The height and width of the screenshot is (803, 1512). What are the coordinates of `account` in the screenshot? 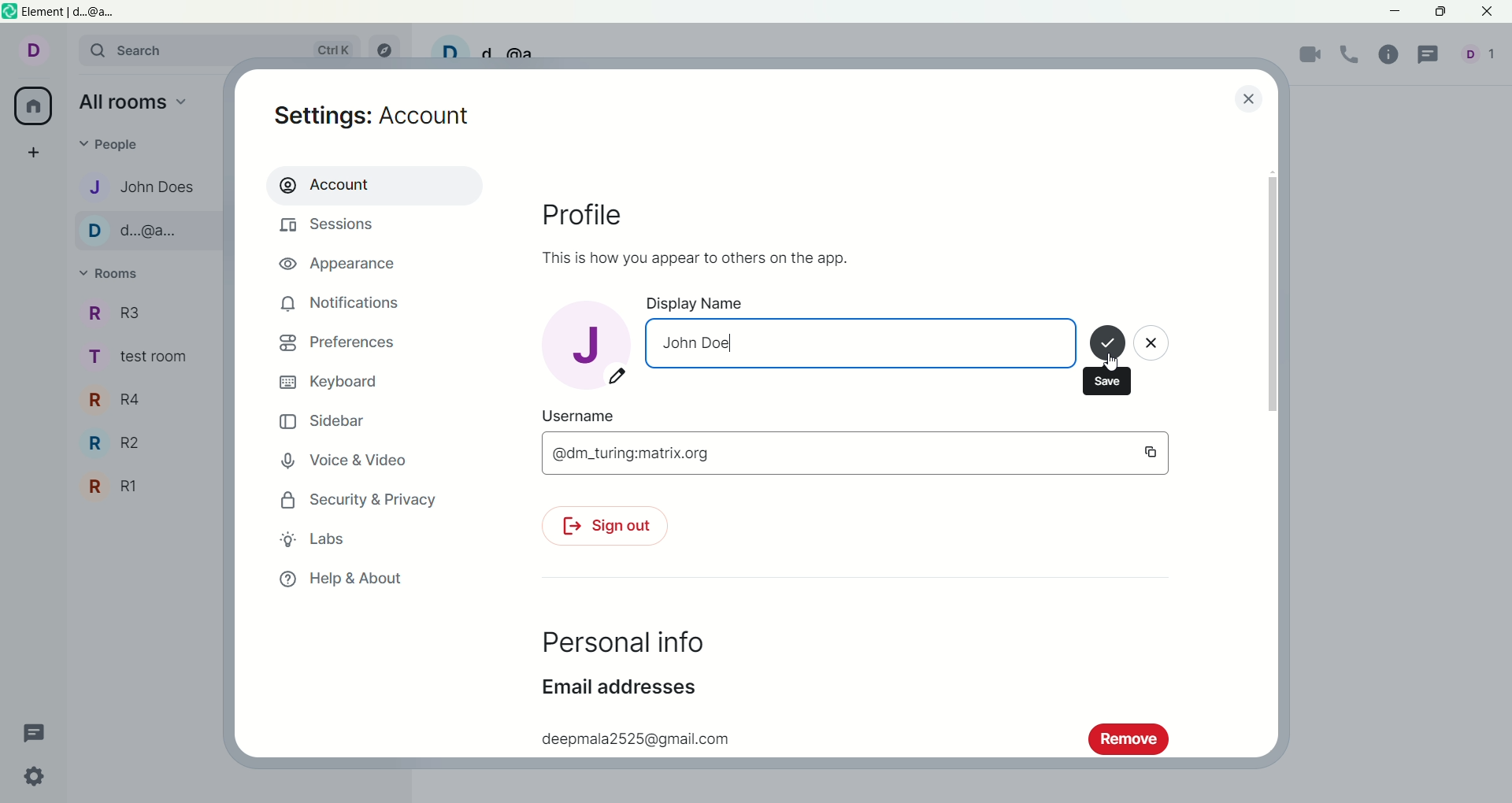 It's located at (42, 54).